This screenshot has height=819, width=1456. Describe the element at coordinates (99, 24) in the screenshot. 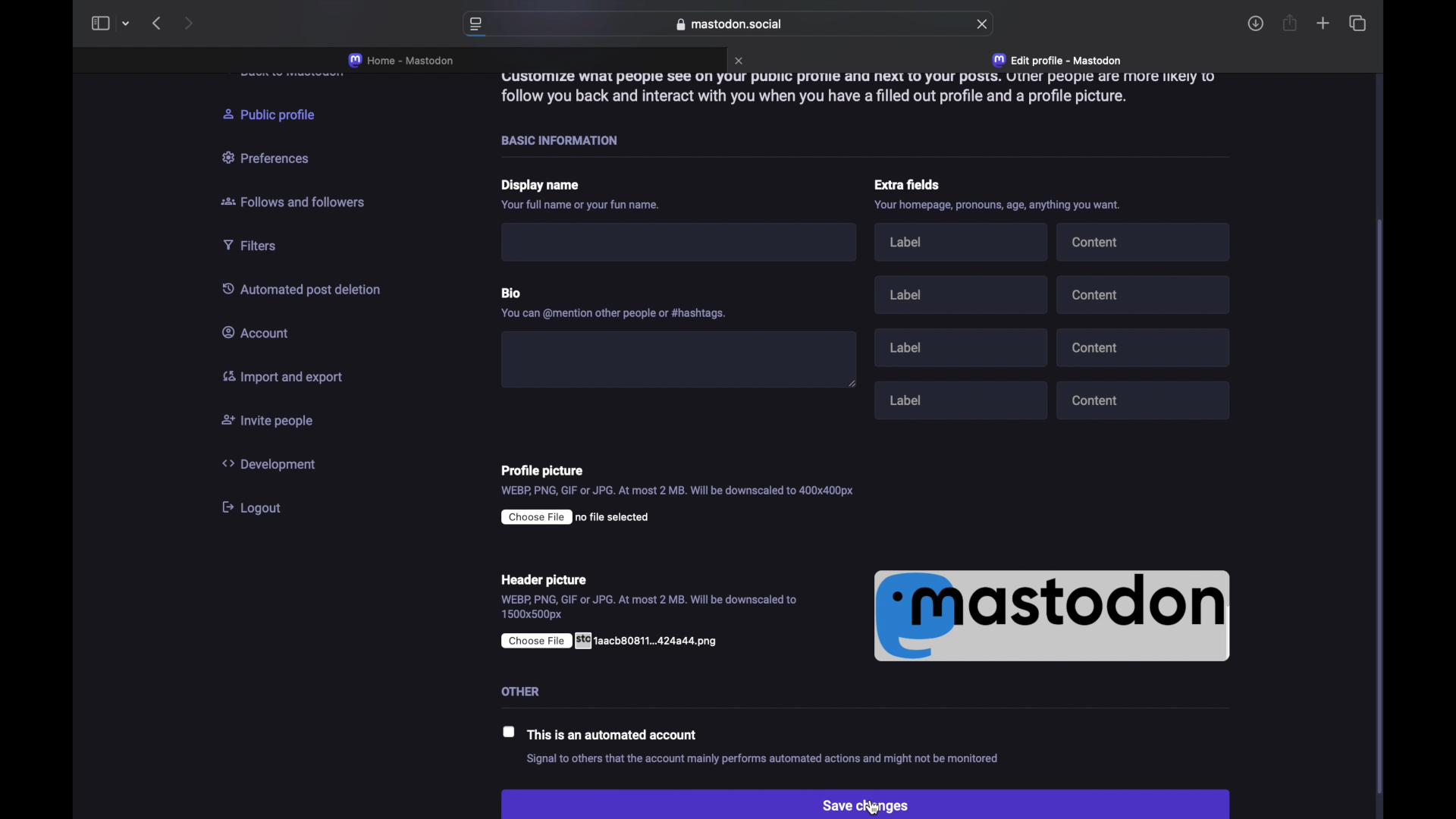

I see `sidebar` at that location.